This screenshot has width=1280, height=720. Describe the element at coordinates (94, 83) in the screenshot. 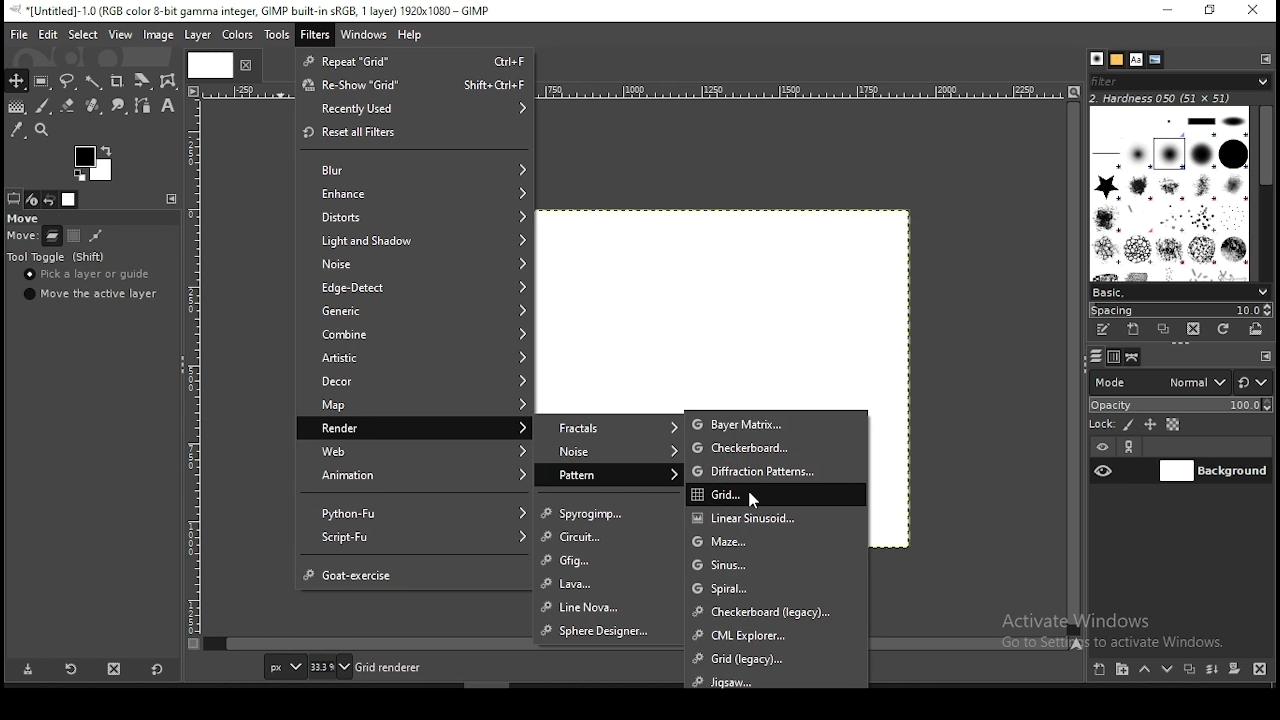

I see `fuzzy select tool` at that location.